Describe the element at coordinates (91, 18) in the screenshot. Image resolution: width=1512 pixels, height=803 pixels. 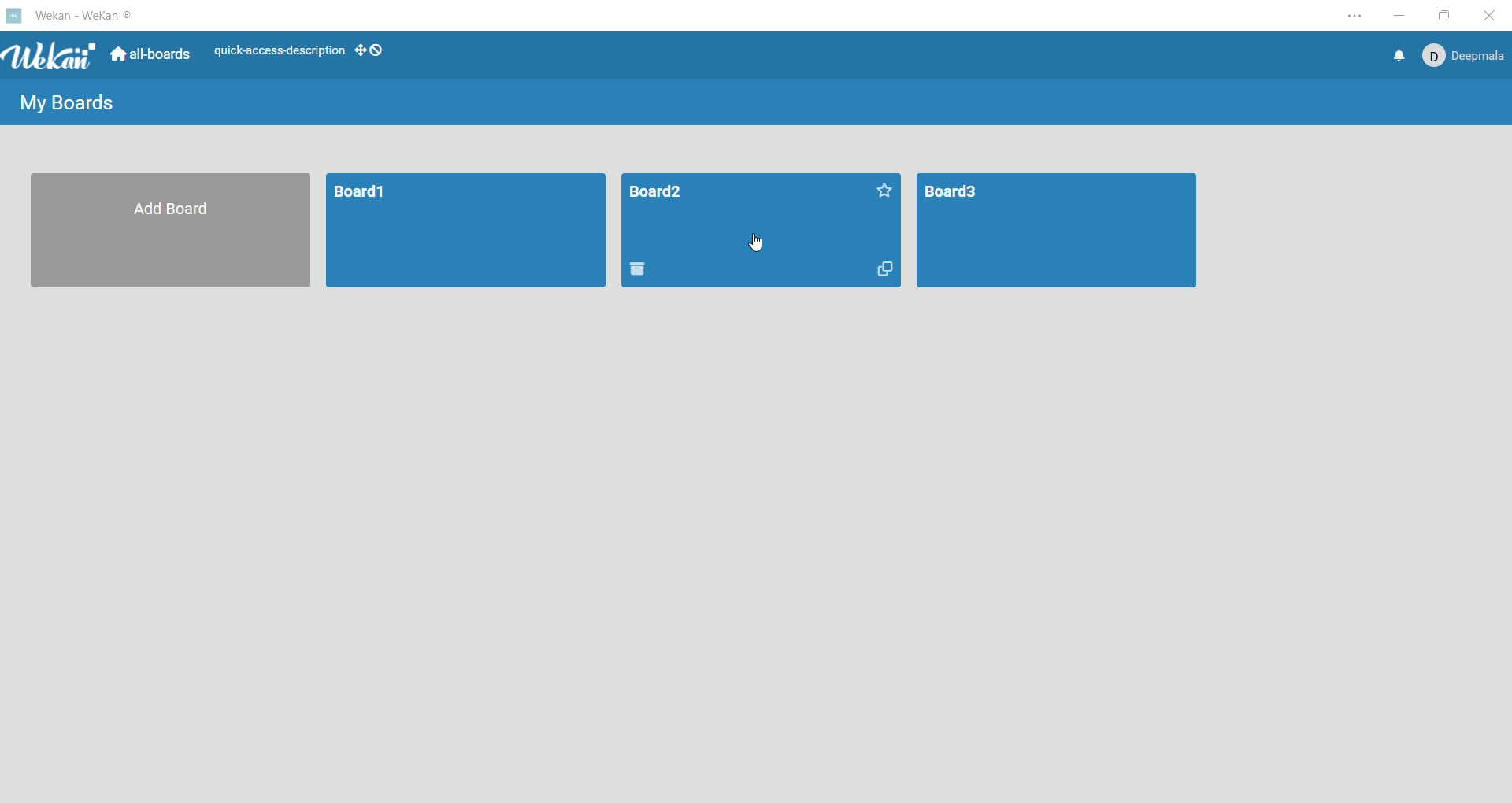
I see `wekan-wekan` at that location.